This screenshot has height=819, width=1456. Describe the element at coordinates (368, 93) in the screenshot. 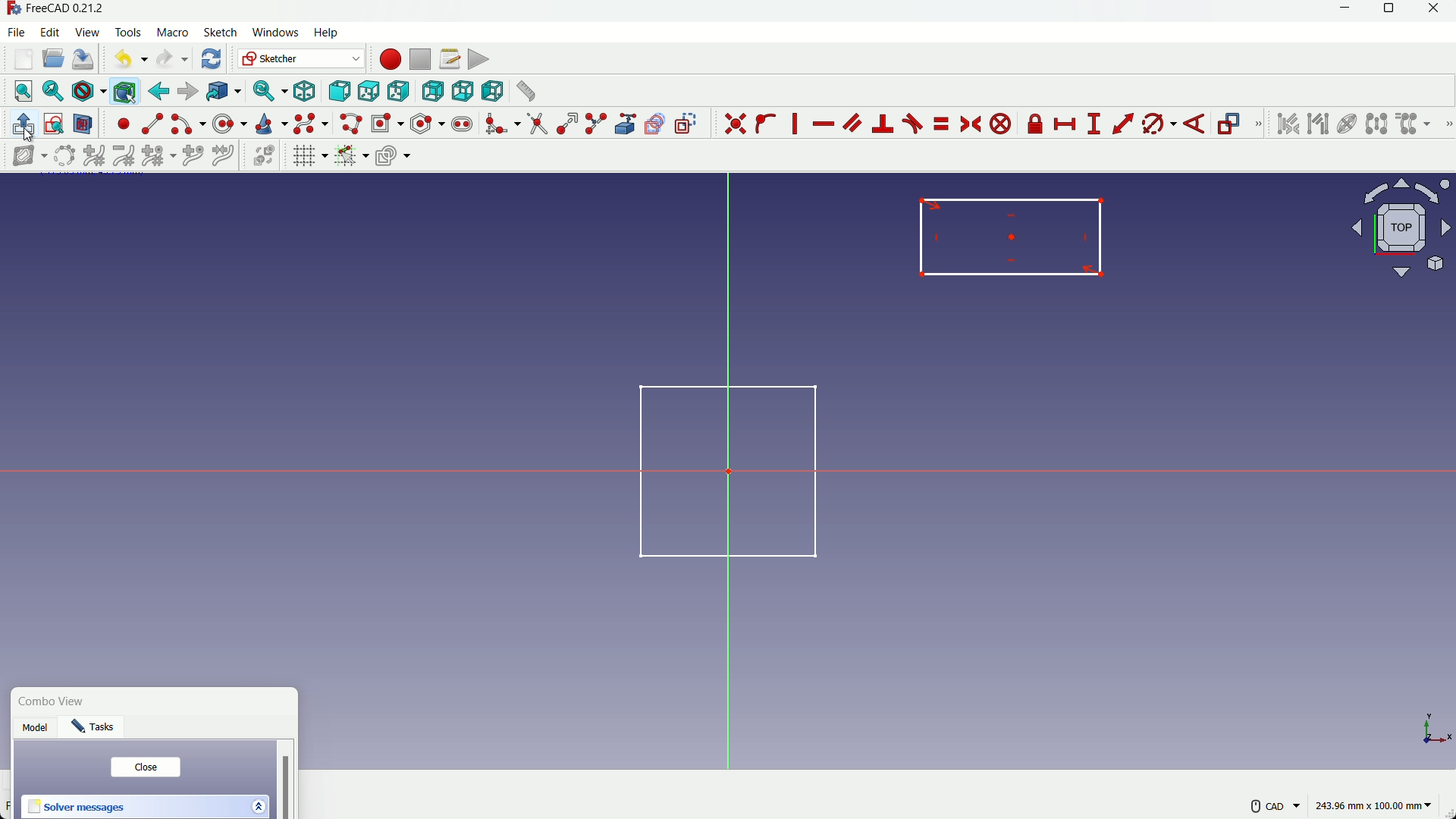

I see `top view` at that location.